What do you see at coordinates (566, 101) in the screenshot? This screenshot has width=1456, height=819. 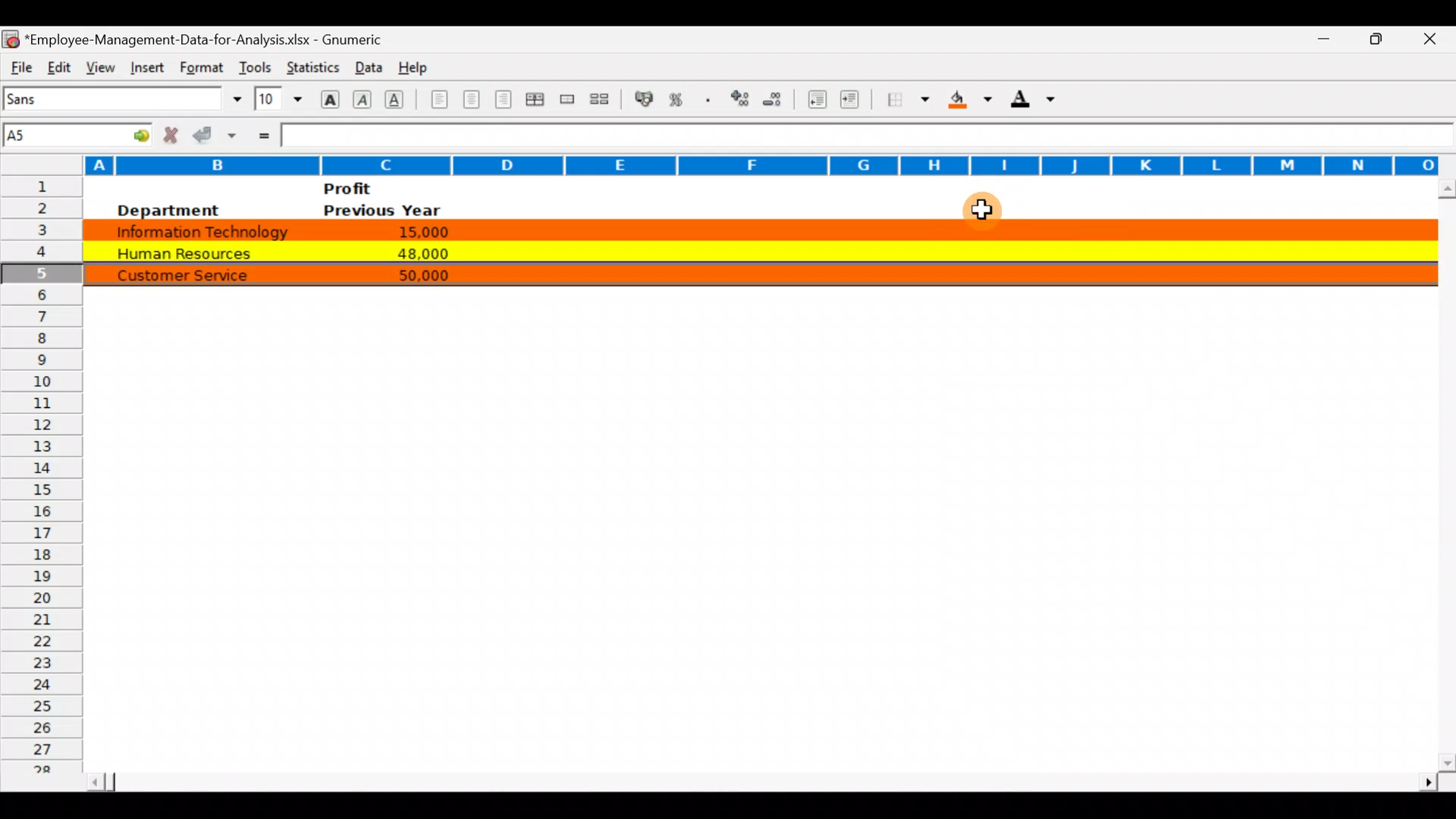 I see `Merge a range of cells` at bounding box center [566, 101].